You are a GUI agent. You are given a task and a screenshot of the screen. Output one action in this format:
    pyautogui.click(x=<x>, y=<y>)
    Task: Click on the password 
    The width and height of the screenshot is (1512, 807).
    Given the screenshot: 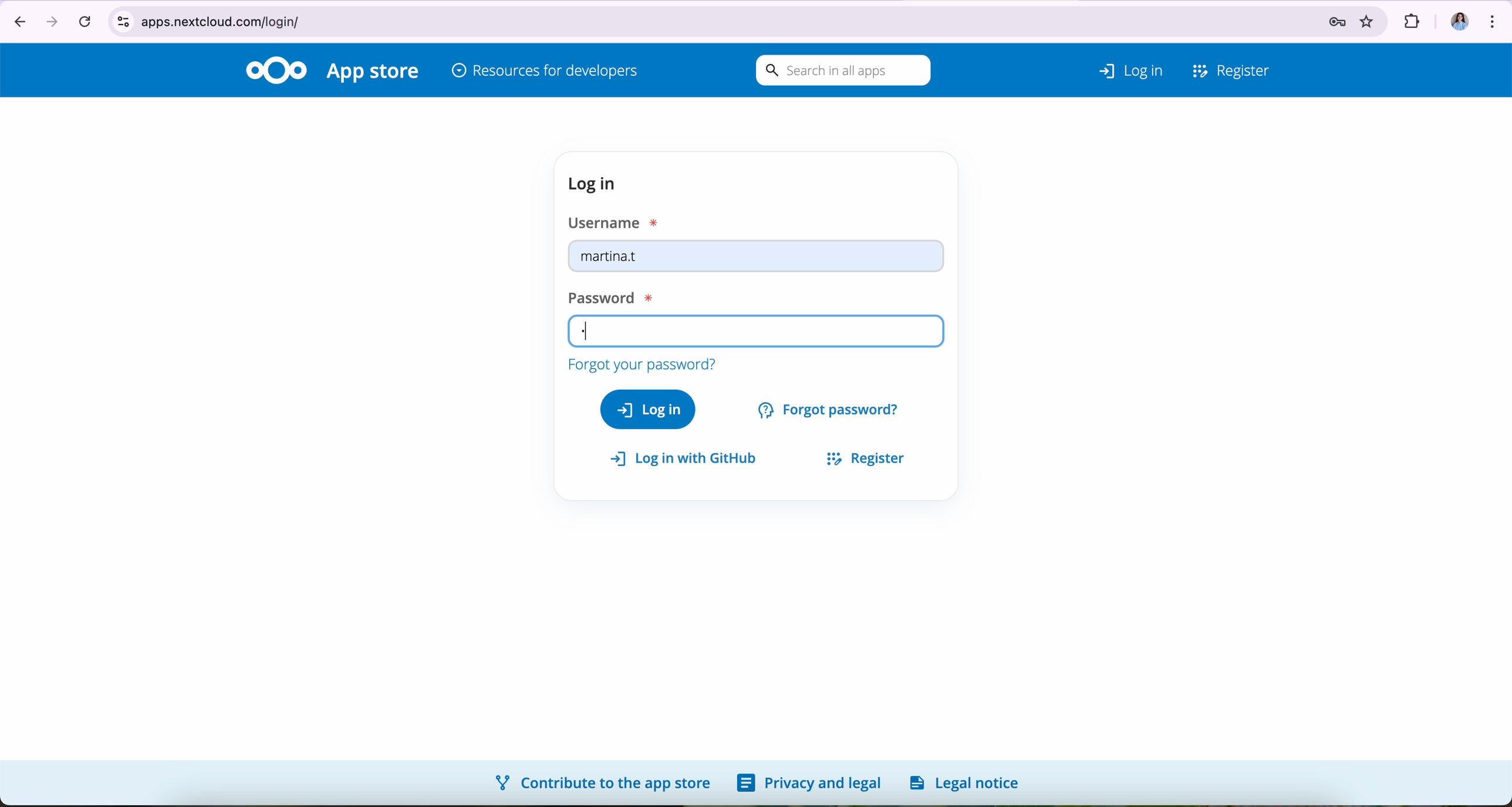 What is the action you would take?
    pyautogui.click(x=606, y=295)
    